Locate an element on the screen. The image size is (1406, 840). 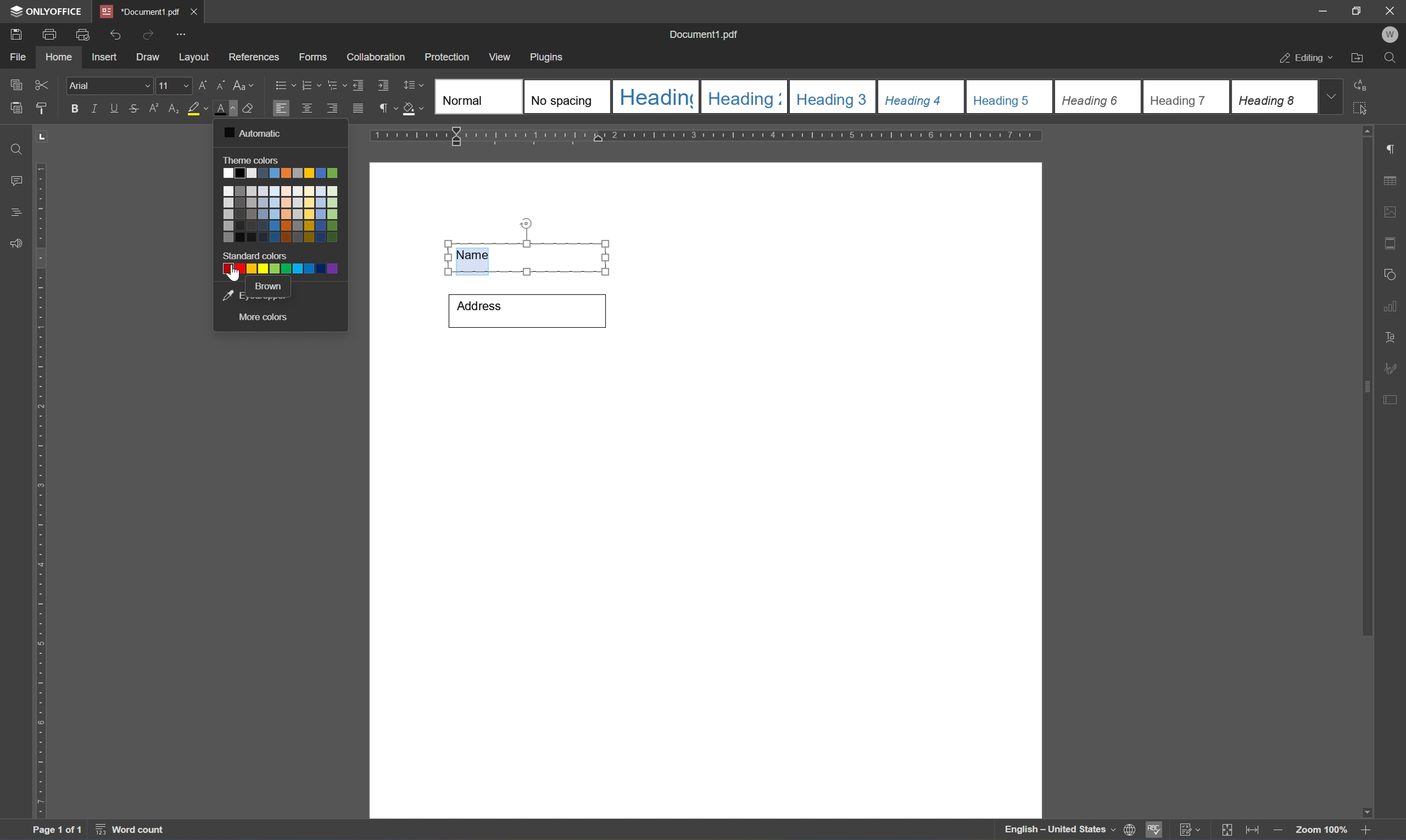
close is located at coordinates (1391, 11).